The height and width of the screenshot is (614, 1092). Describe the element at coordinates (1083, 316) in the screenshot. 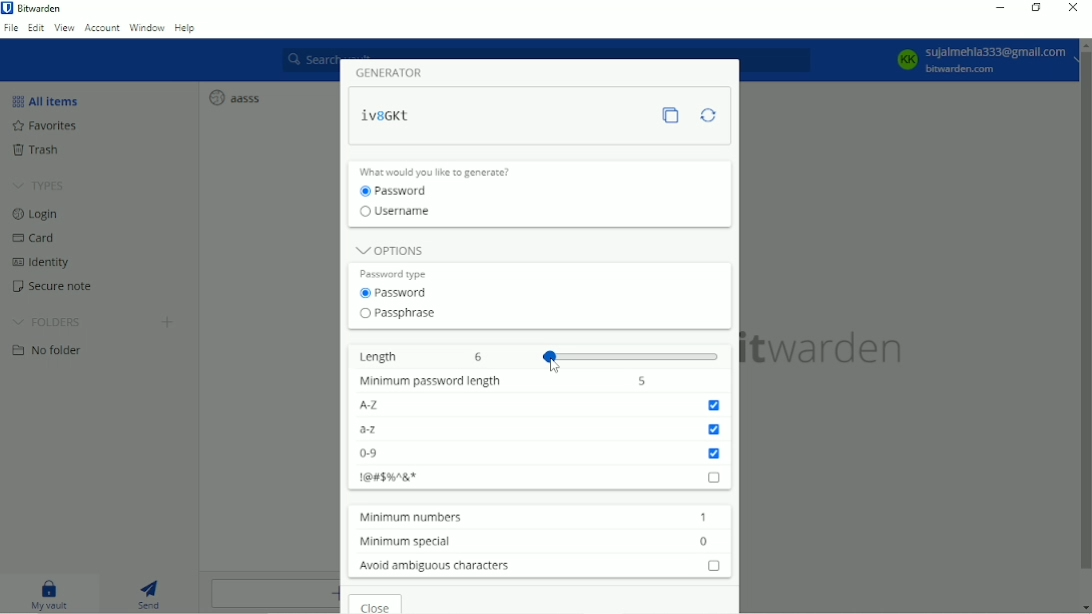

I see `Vertical scrollbar` at that location.